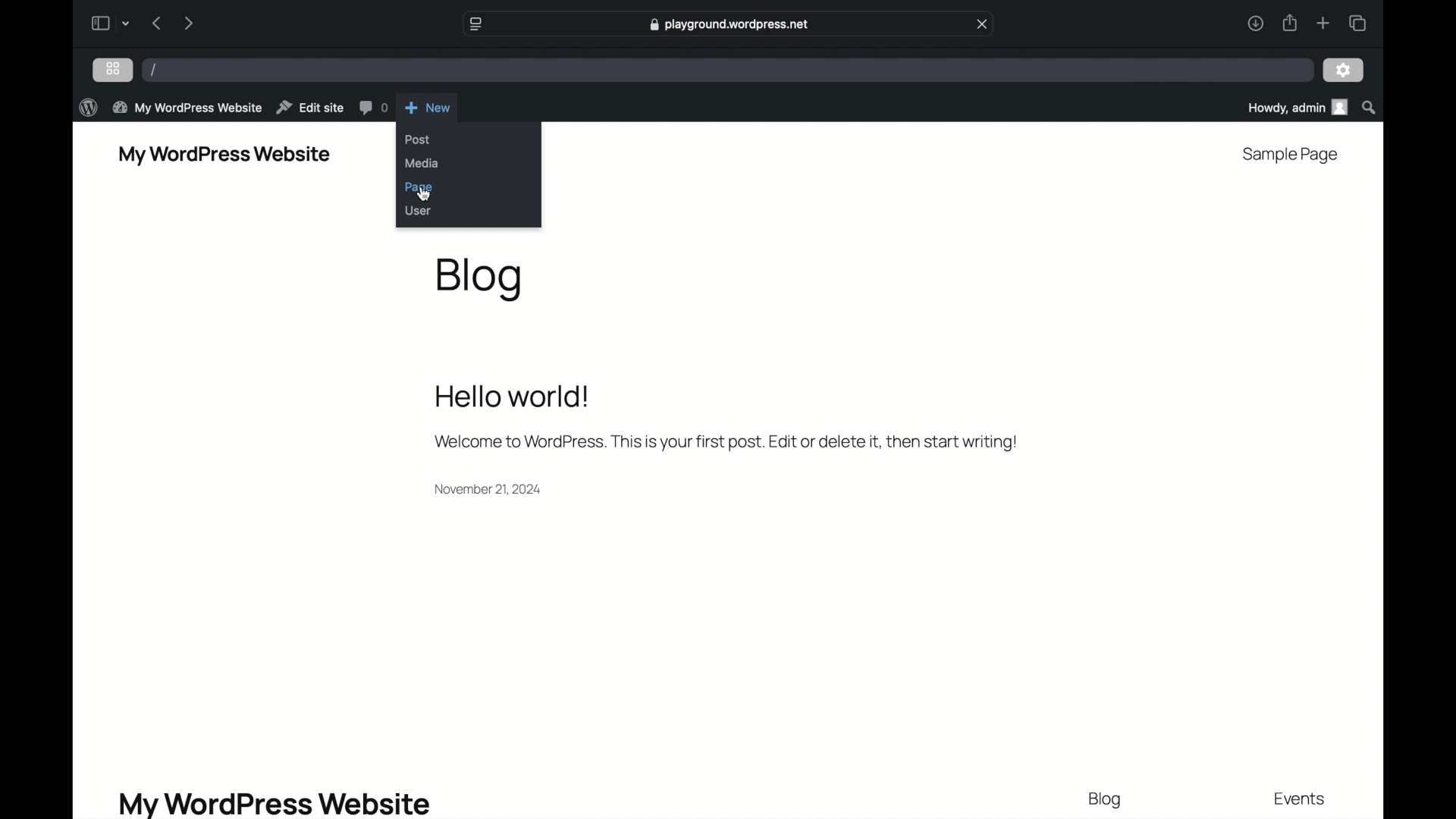 The width and height of the screenshot is (1456, 819). Describe the element at coordinates (475, 24) in the screenshot. I see `website settings` at that location.